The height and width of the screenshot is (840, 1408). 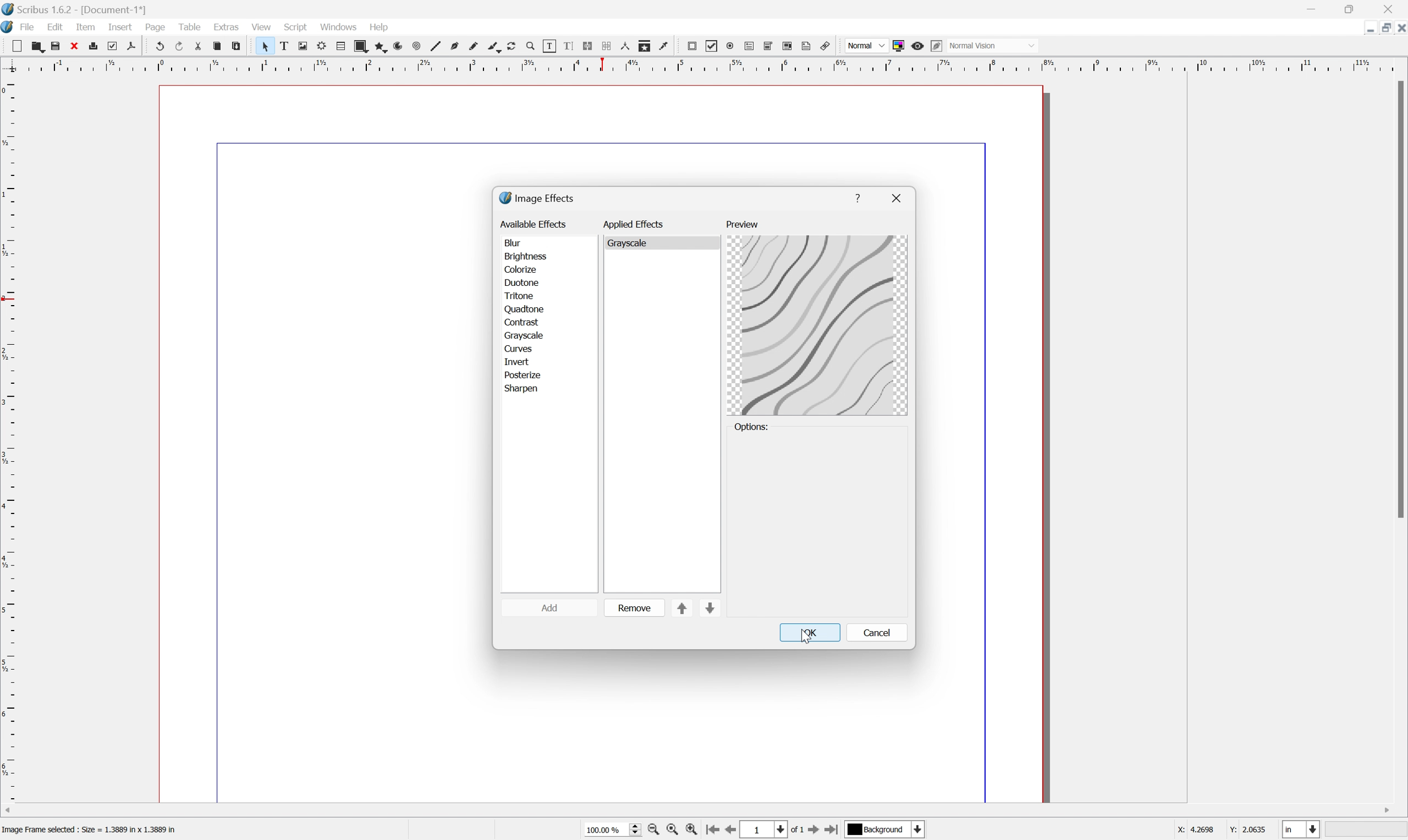 I want to click on Close, so click(x=1399, y=28).